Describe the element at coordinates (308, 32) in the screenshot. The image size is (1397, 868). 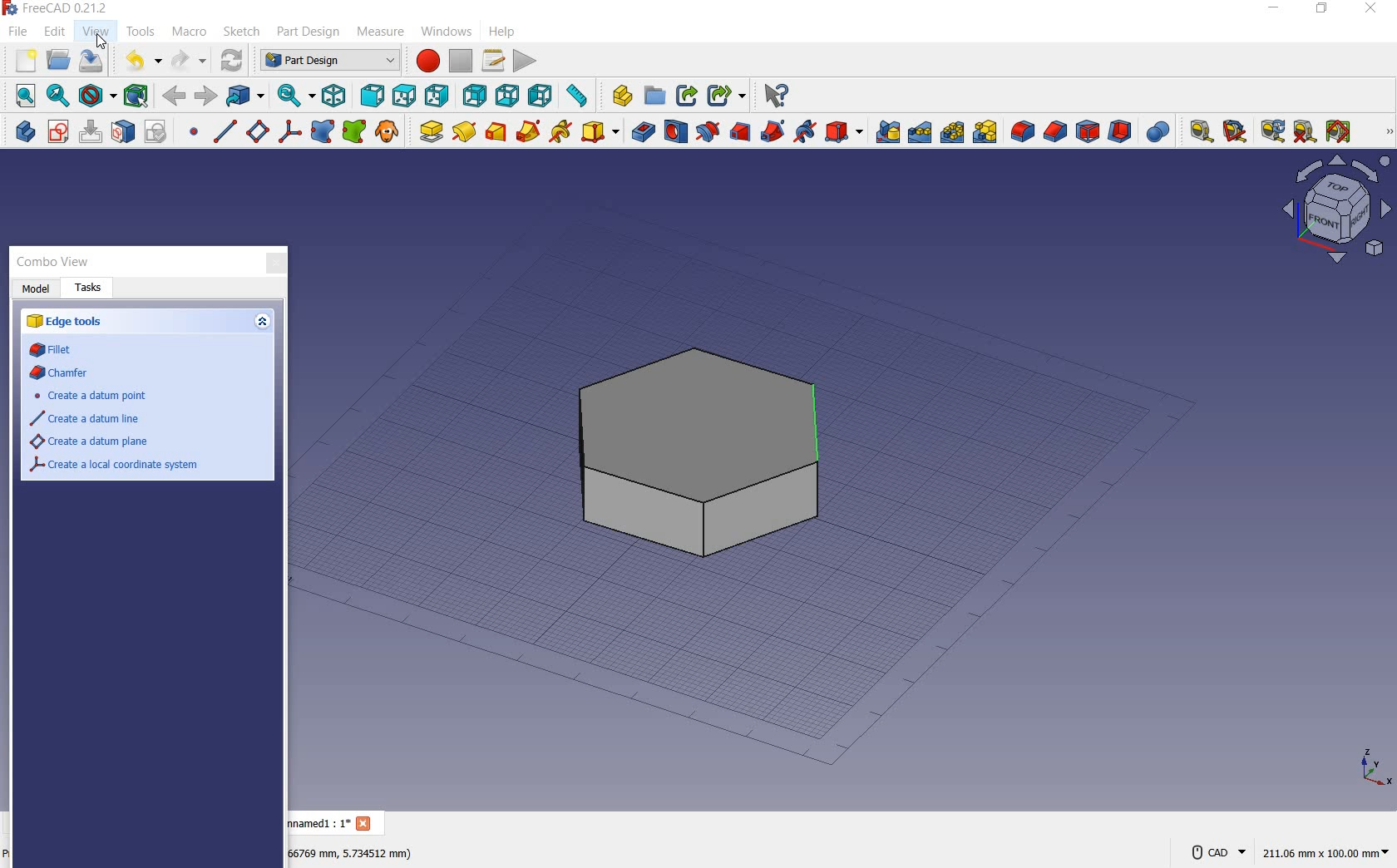
I see `part design` at that location.